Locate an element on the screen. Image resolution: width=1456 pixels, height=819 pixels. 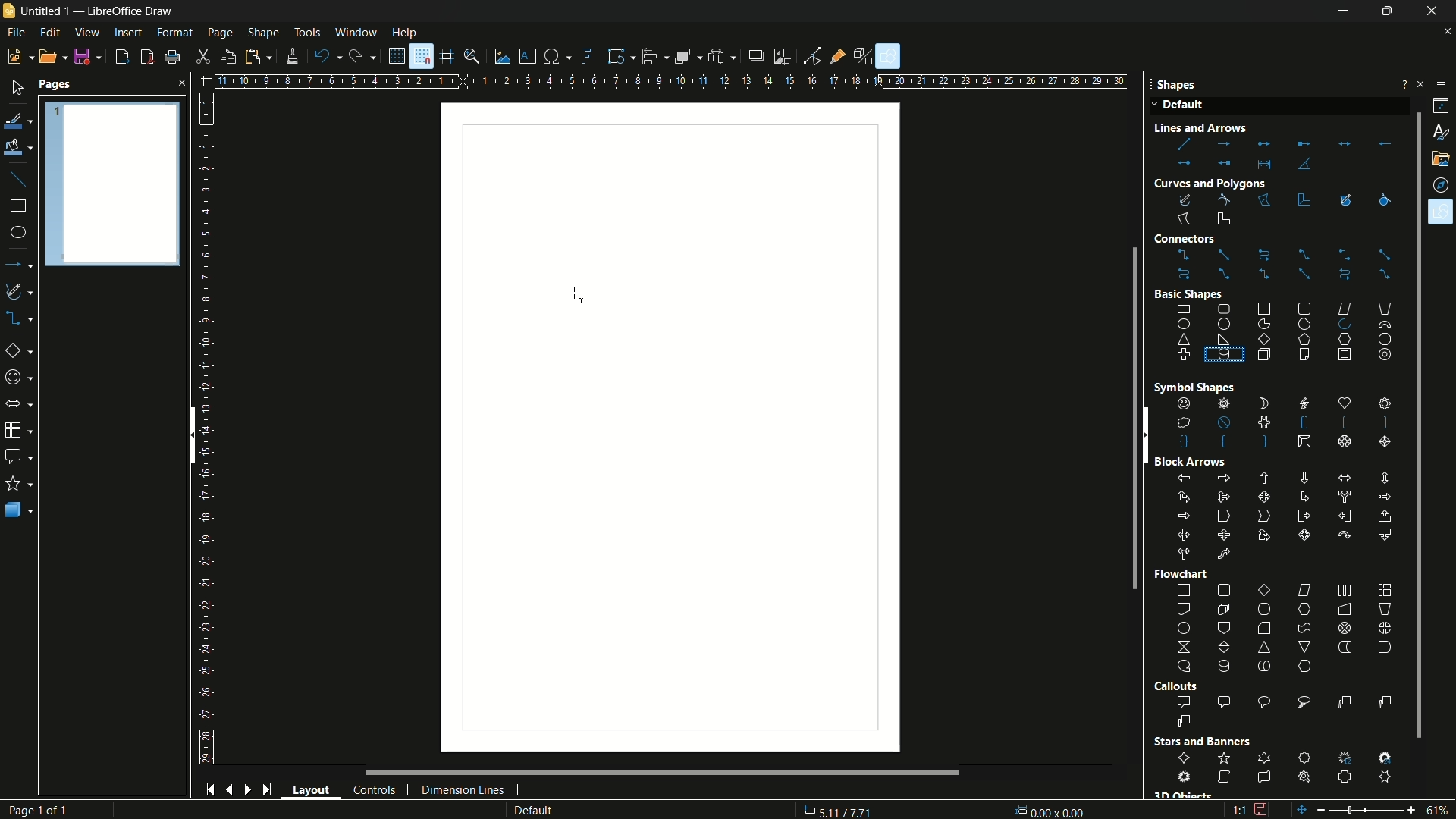
curves and polygons is located at coordinates (1208, 208).